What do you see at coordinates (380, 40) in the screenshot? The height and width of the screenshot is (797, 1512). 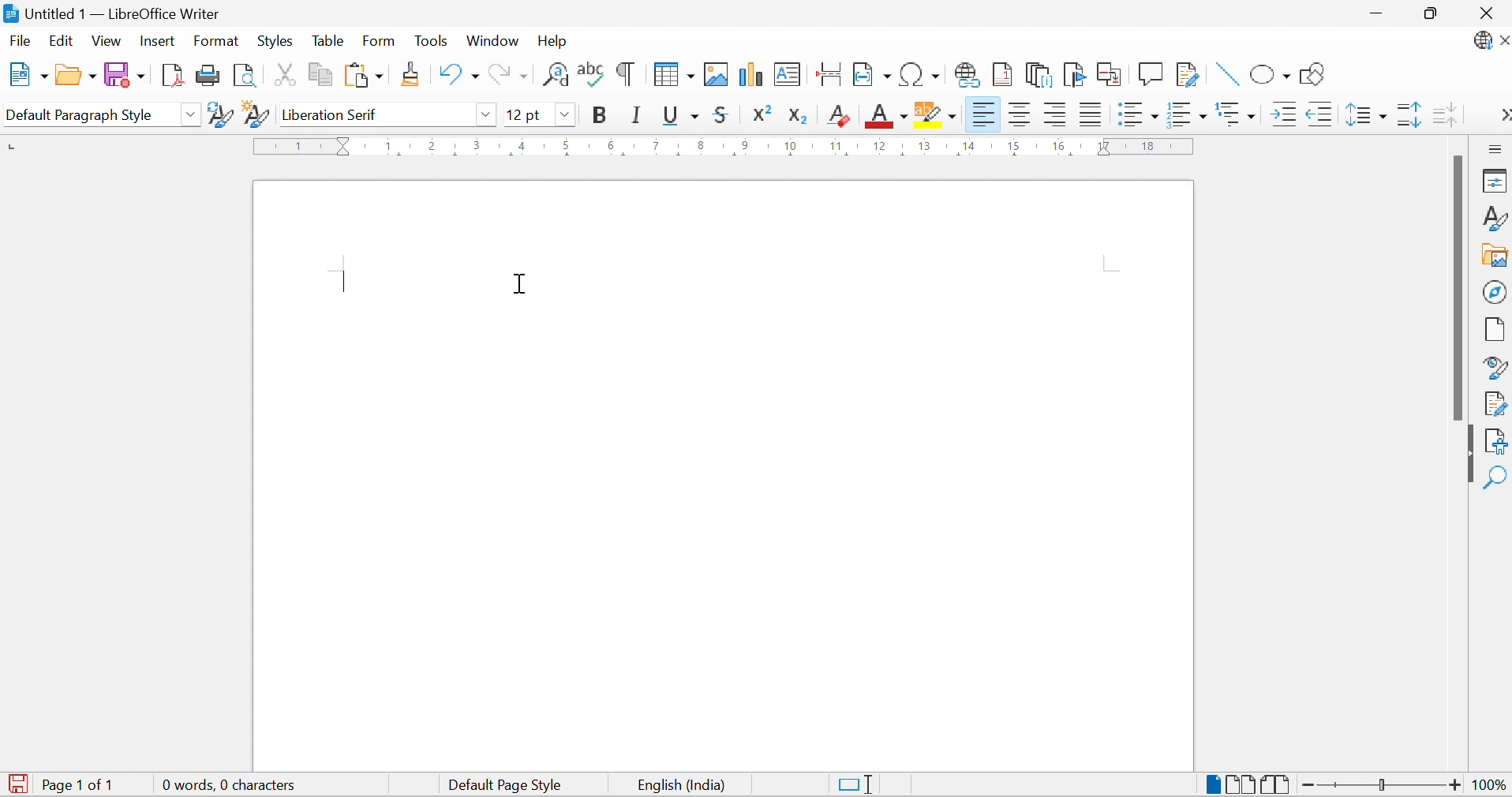 I see `Form` at bounding box center [380, 40].